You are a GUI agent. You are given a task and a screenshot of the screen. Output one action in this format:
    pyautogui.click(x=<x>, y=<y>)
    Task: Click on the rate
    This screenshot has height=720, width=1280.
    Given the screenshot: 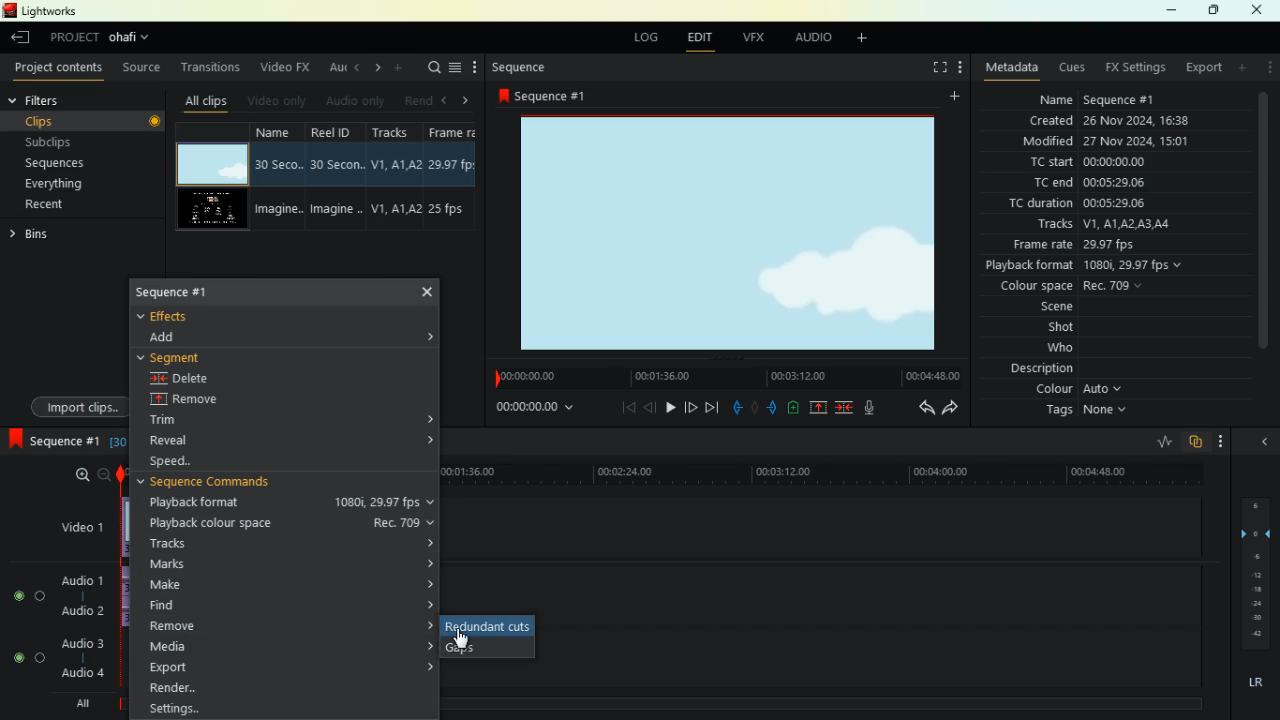 What is the action you would take?
    pyautogui.click(x=1162, y=440)
    